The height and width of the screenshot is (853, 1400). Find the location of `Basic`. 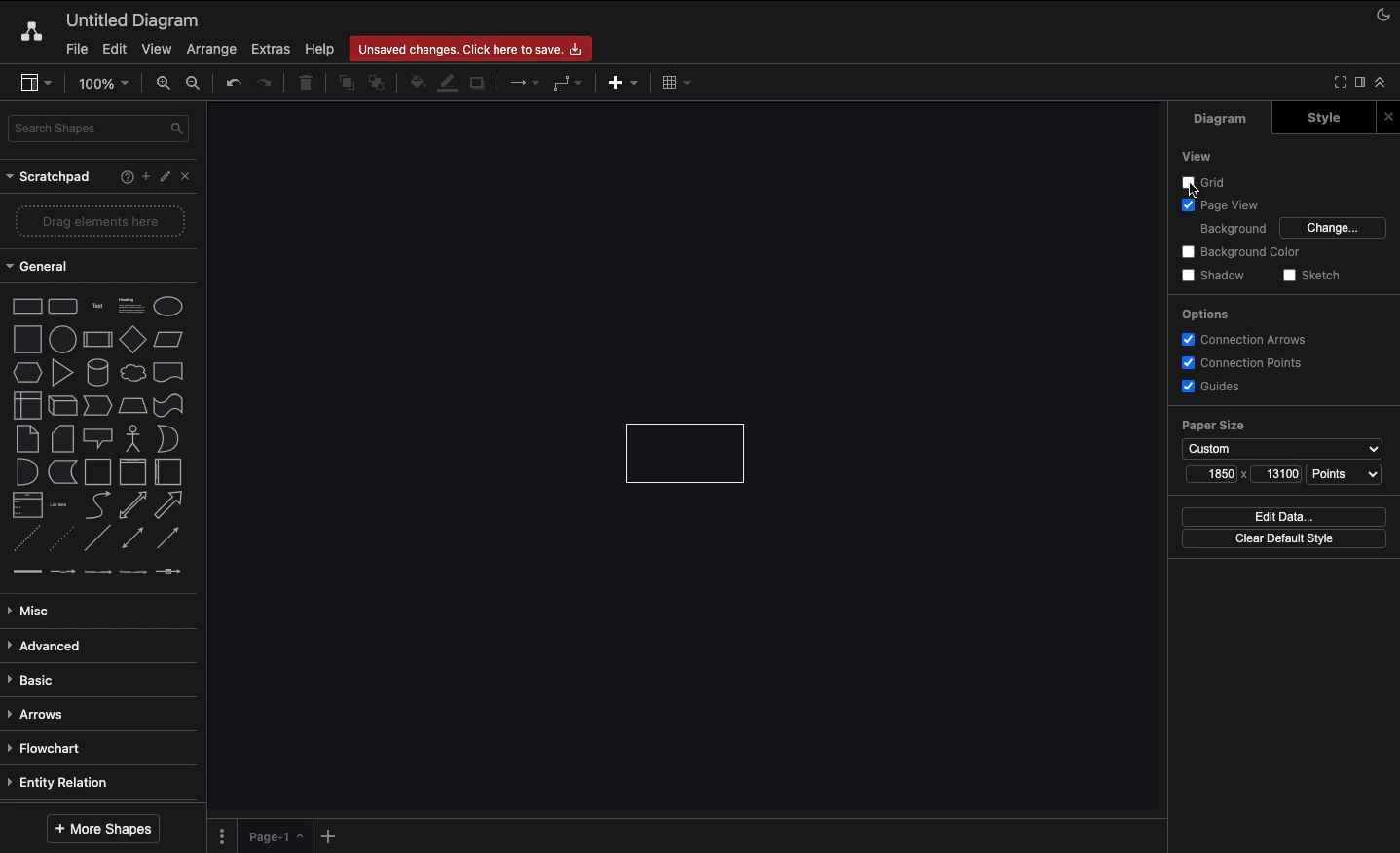

Basic is located at coordinates (43, 682).